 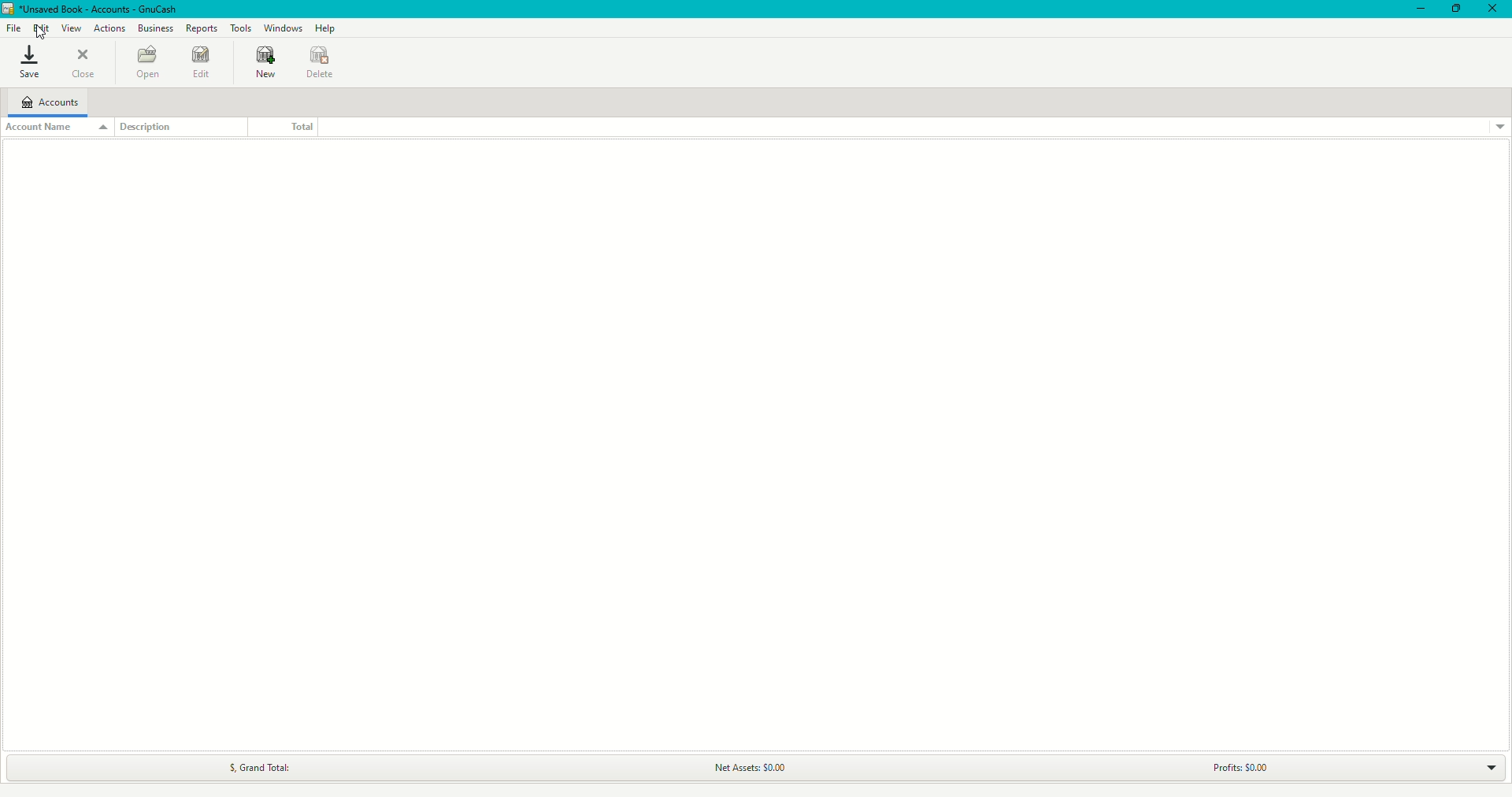 What do you see at coordinates (69, 28) in the screenshot?
I see `View` at bounding box center [69, 28].